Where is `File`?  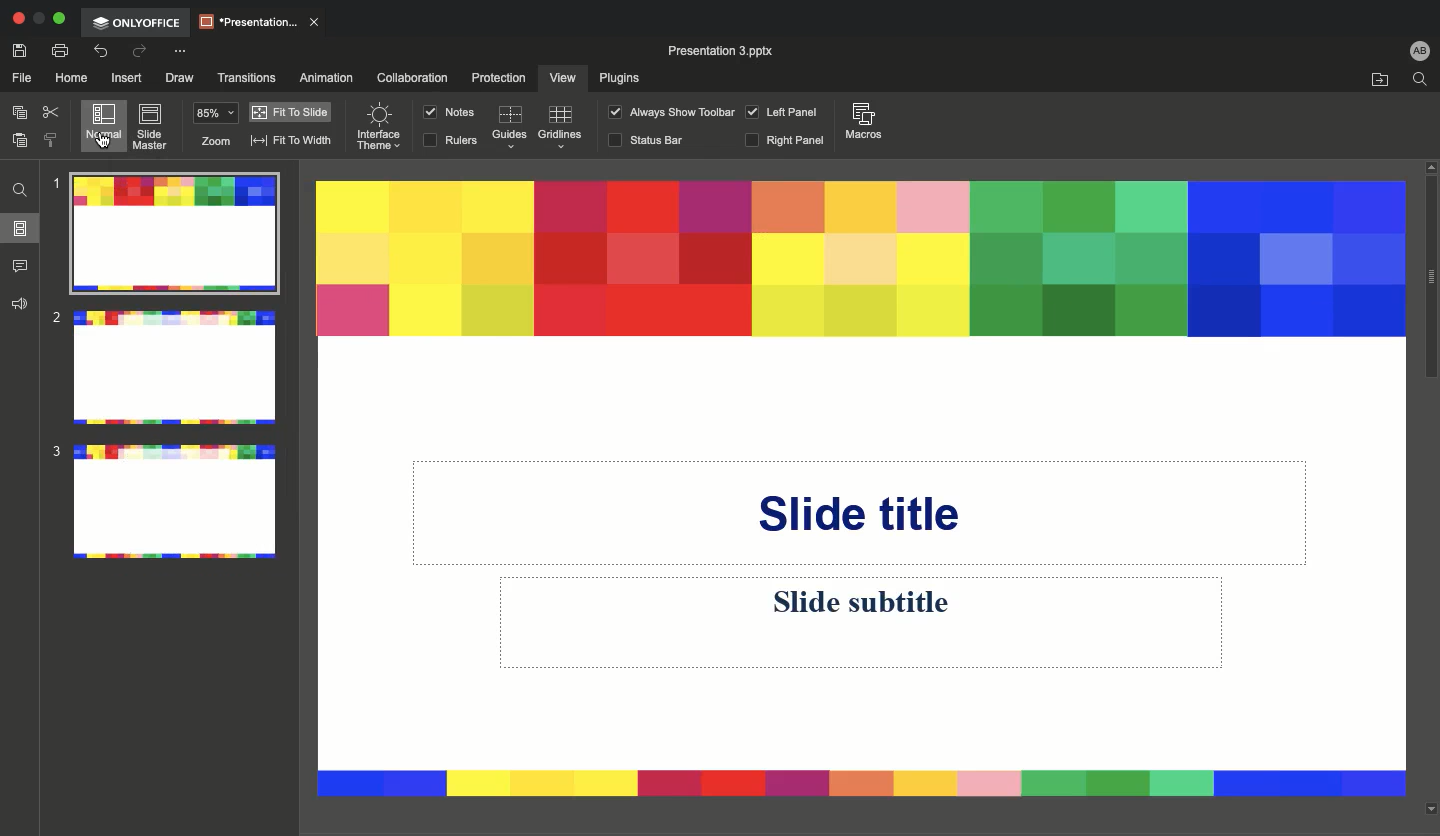
File is located at coordinates (19, 76).